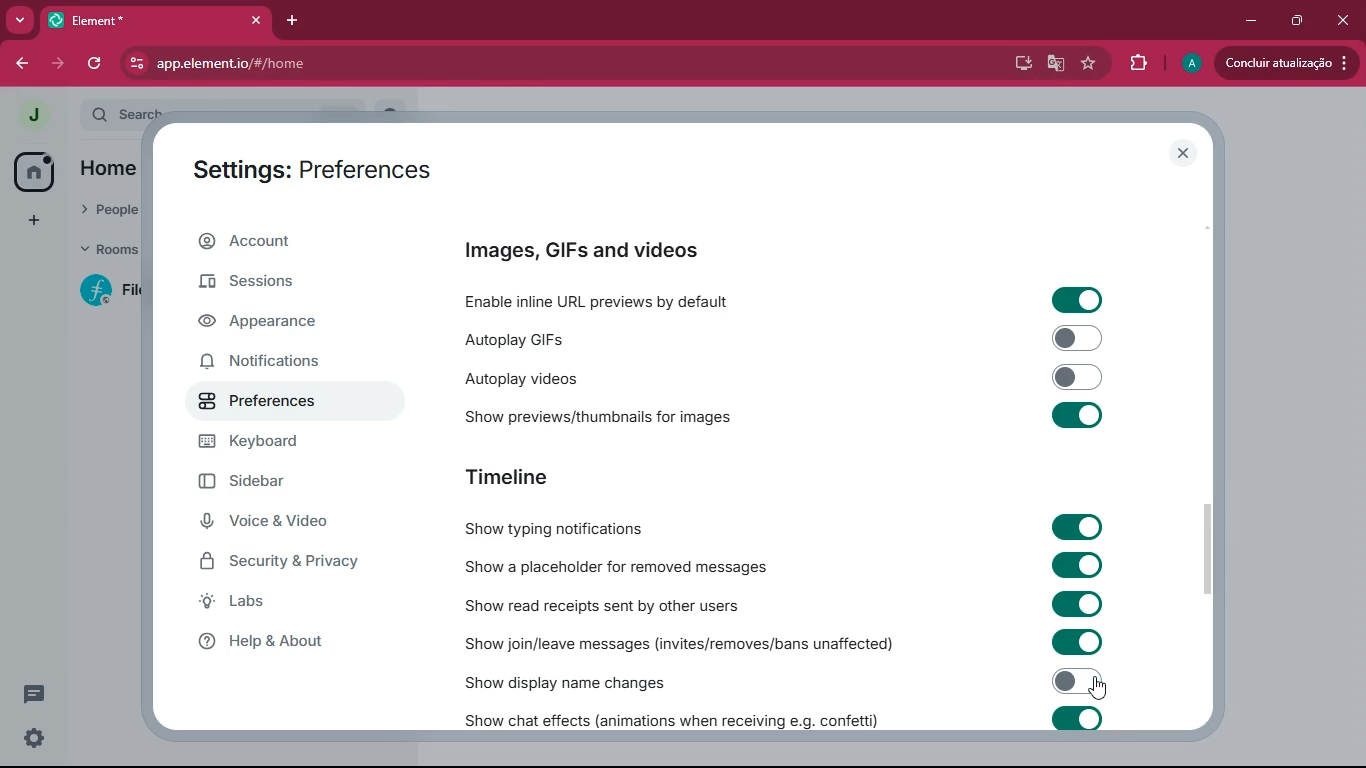 The width and height of the screenshot is (1366, 768). Describe the element at coordinates (1077, 415) in the screenshot. I see `toggle on/off` at that location.